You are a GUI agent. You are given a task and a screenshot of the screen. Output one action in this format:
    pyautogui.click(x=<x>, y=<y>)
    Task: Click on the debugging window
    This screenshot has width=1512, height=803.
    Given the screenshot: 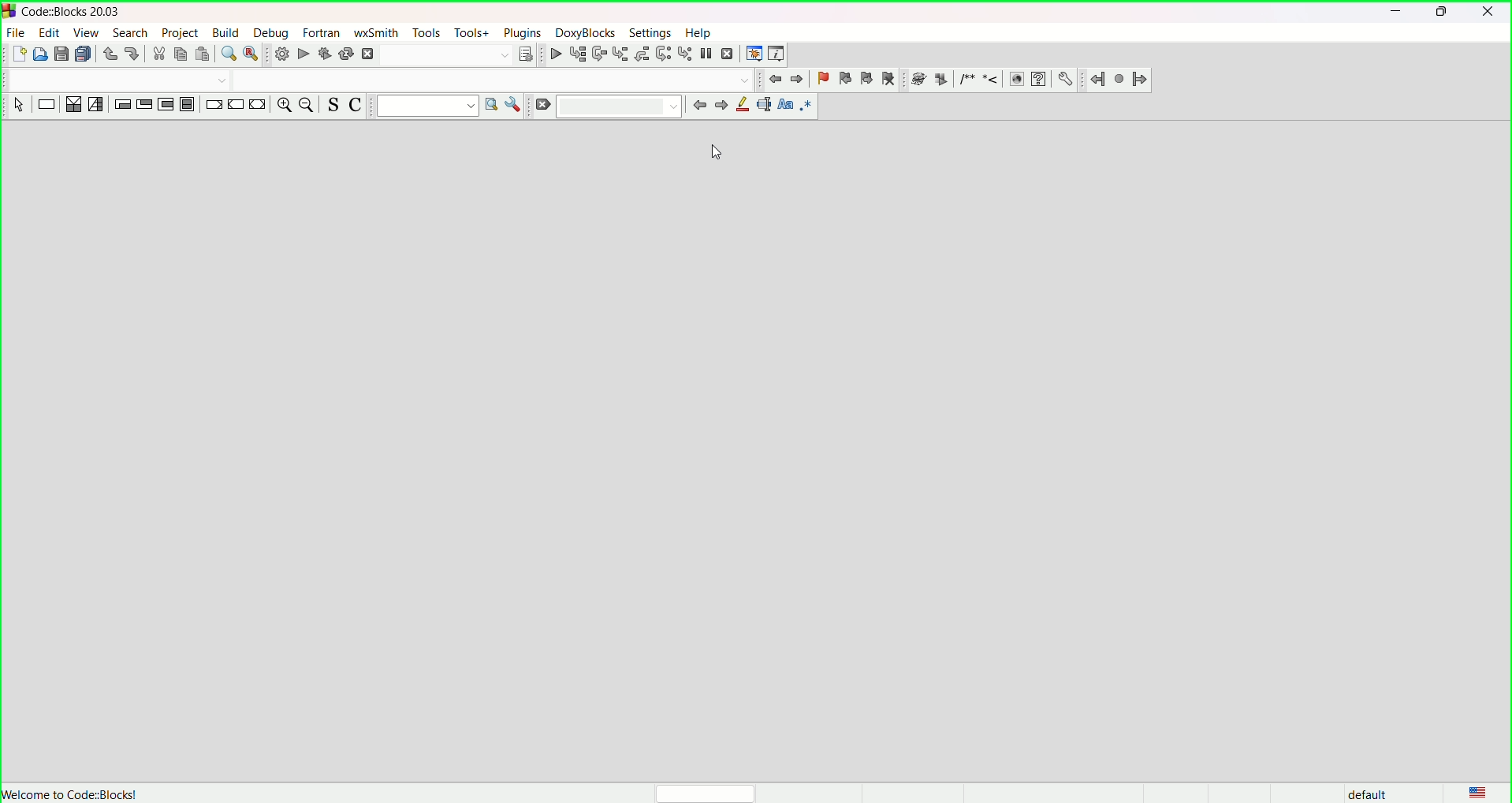 What is the action you would take?
    pyautogui.click(x=754, y=54)
    